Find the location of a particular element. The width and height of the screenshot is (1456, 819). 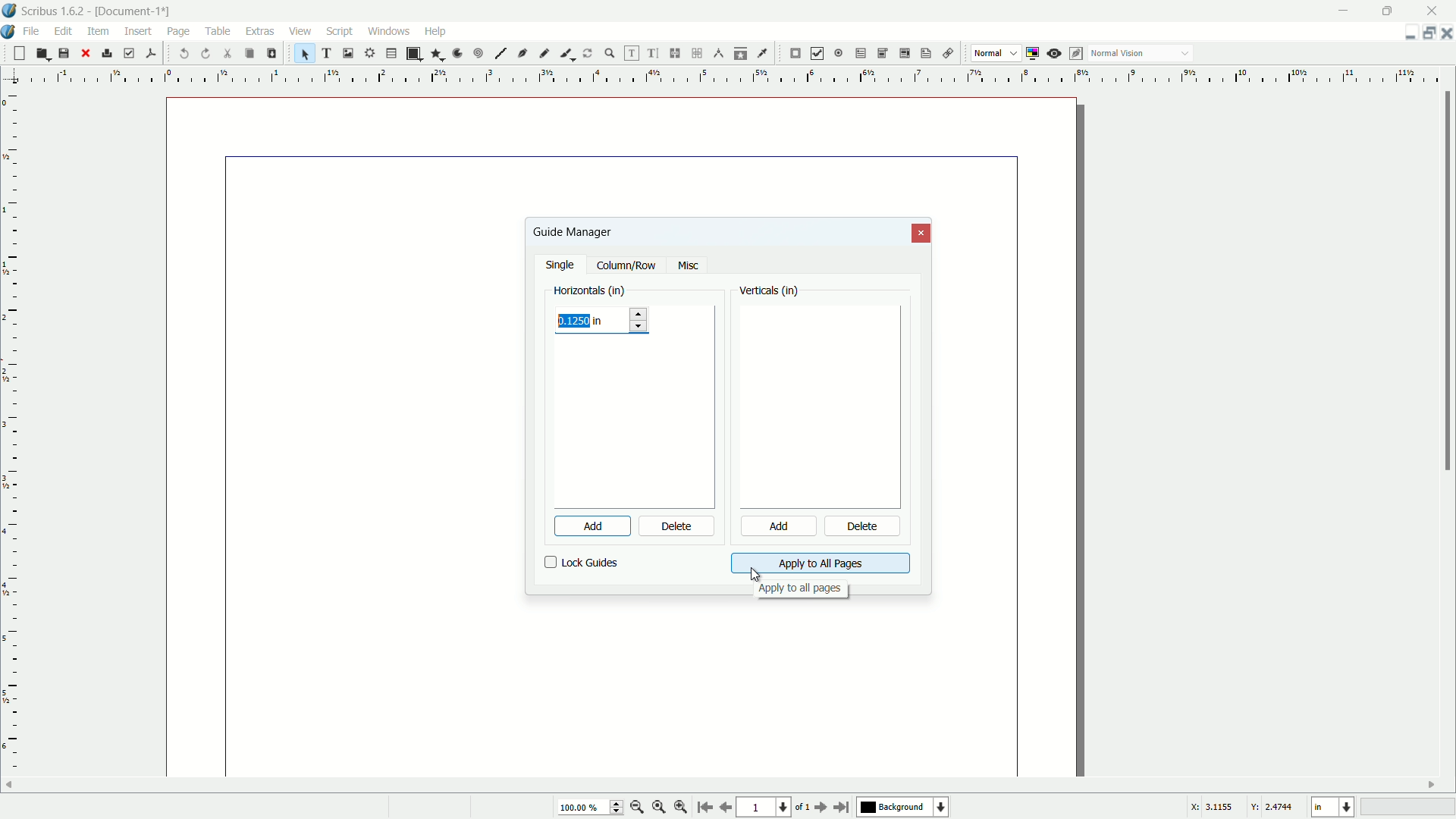

cursor is located at coordinates (755, 573).